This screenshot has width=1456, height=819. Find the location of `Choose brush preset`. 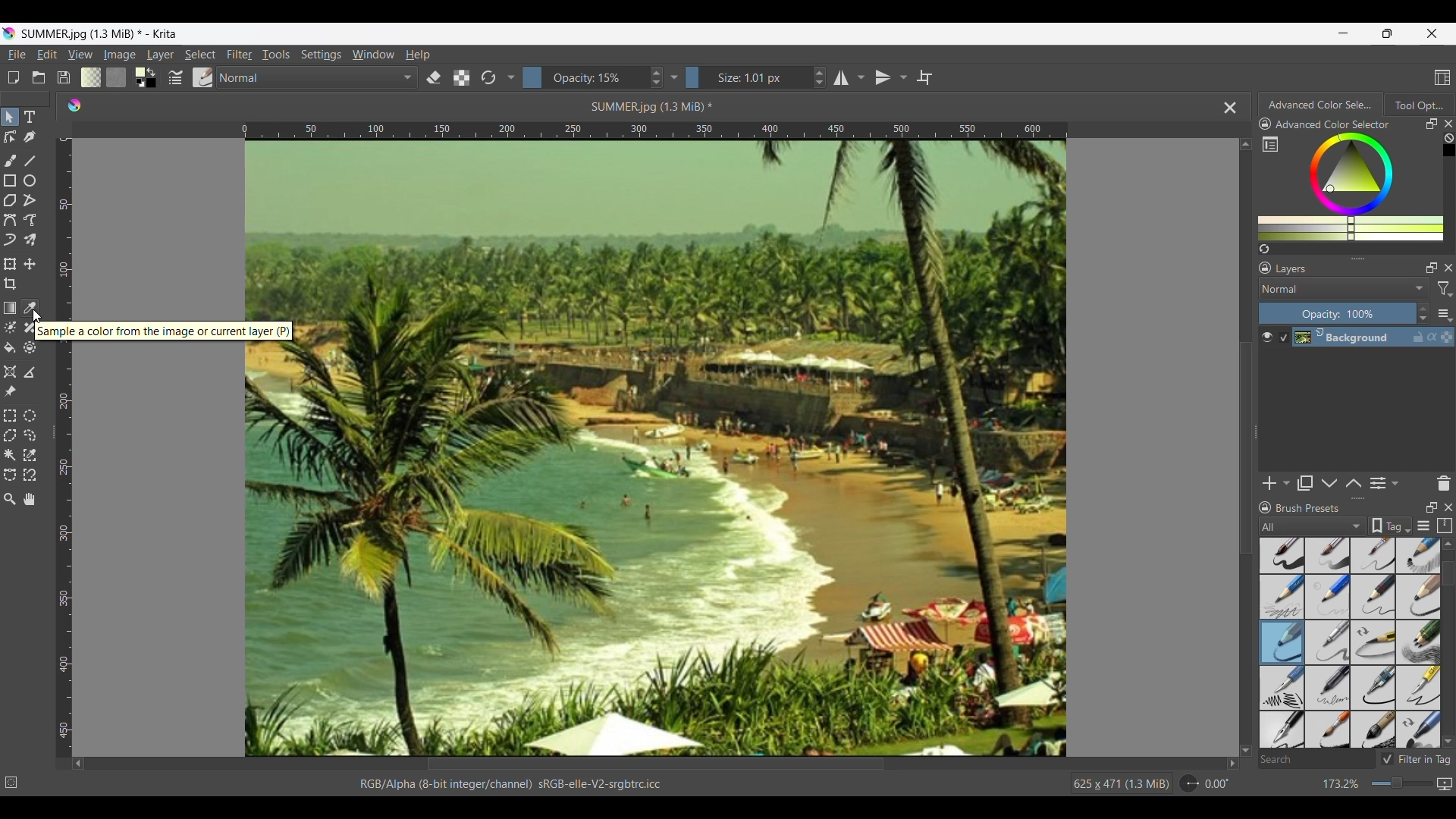

Choose brush preset is located at coordinates (203, 77).